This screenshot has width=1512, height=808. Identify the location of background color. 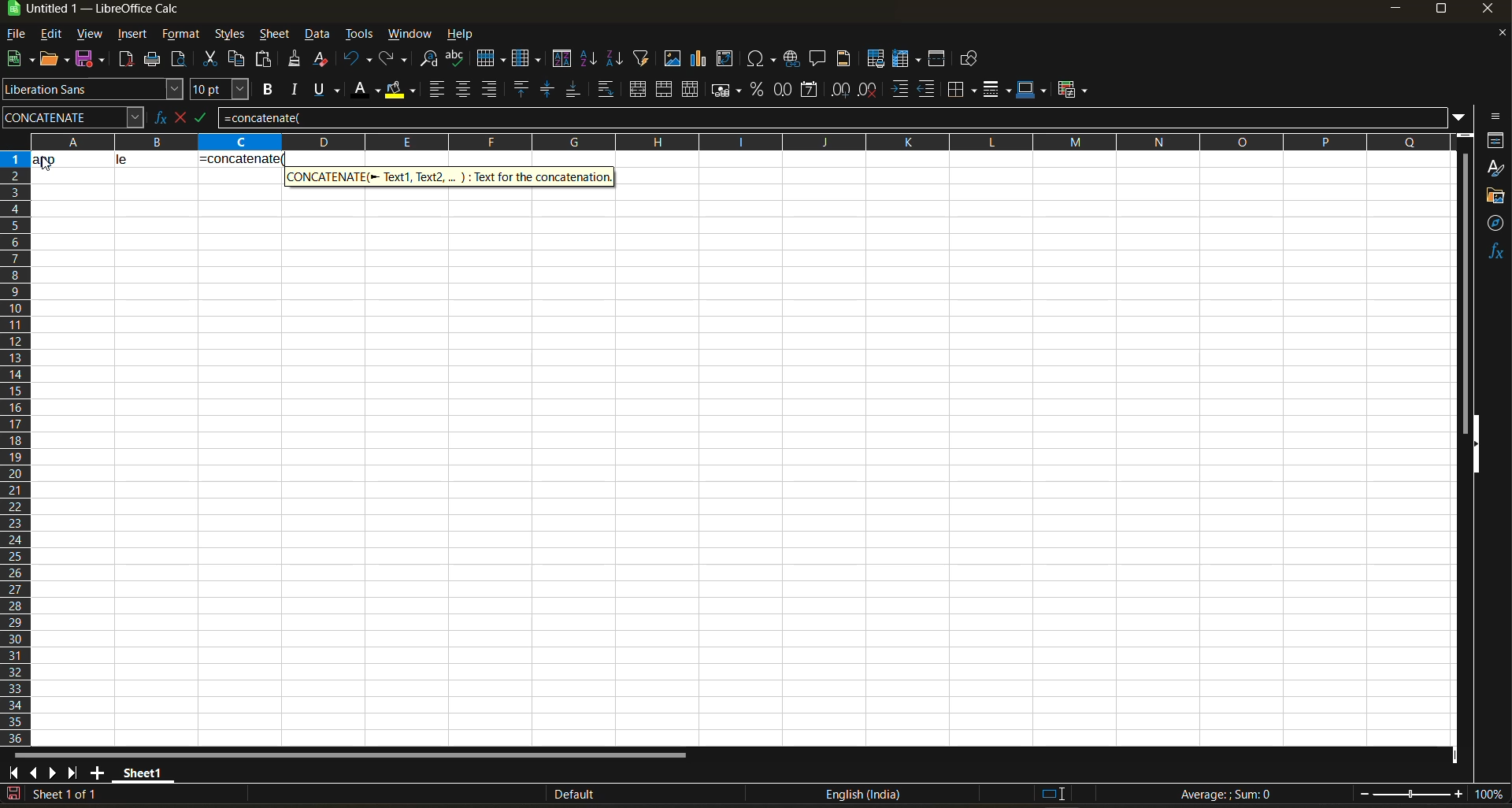
(399, 91).